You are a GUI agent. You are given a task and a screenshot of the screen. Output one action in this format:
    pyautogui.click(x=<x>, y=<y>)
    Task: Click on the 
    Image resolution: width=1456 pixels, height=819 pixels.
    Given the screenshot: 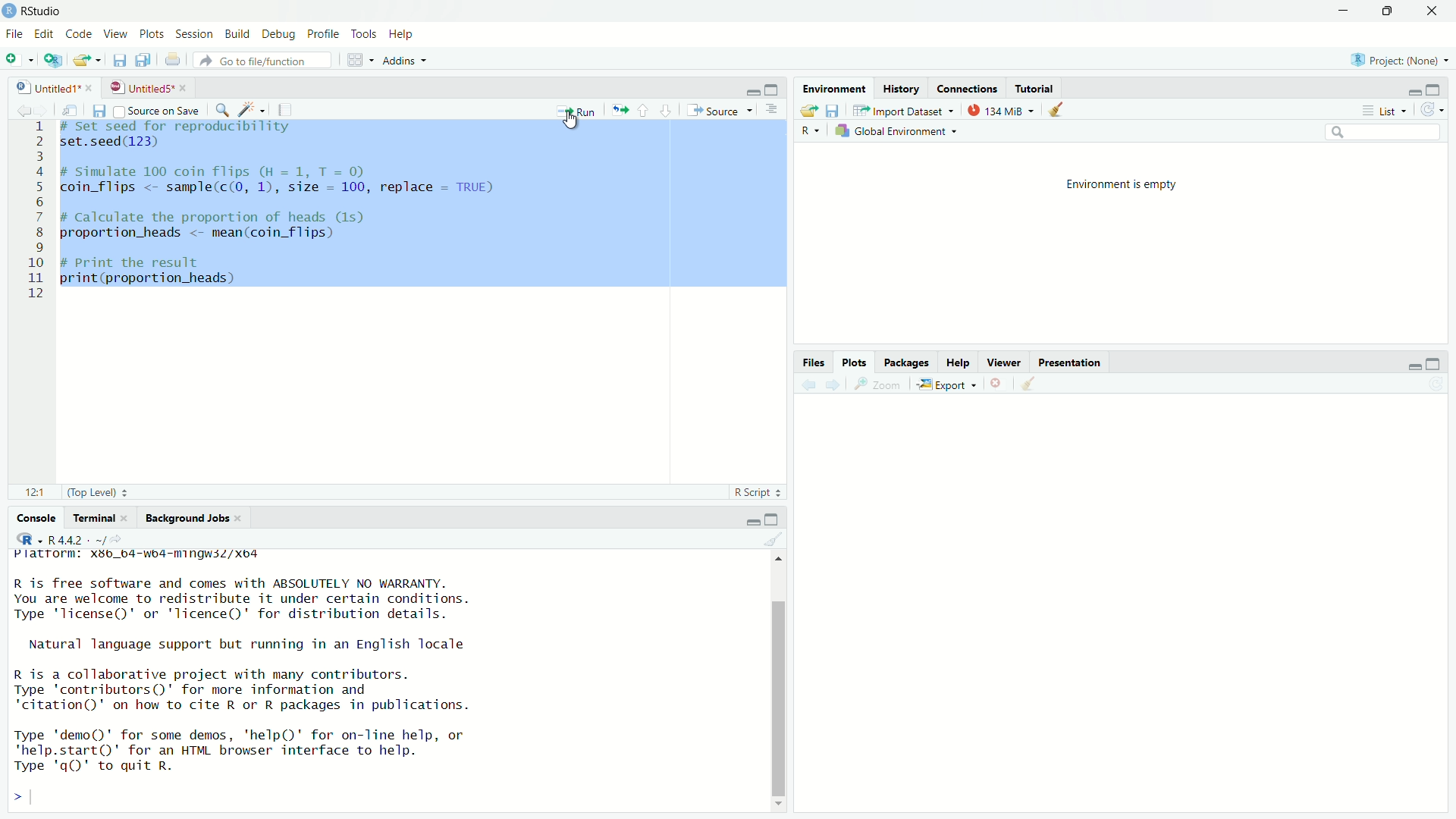 What is the action you would take?
    pyautogui.click(x=1120, y=596)
    